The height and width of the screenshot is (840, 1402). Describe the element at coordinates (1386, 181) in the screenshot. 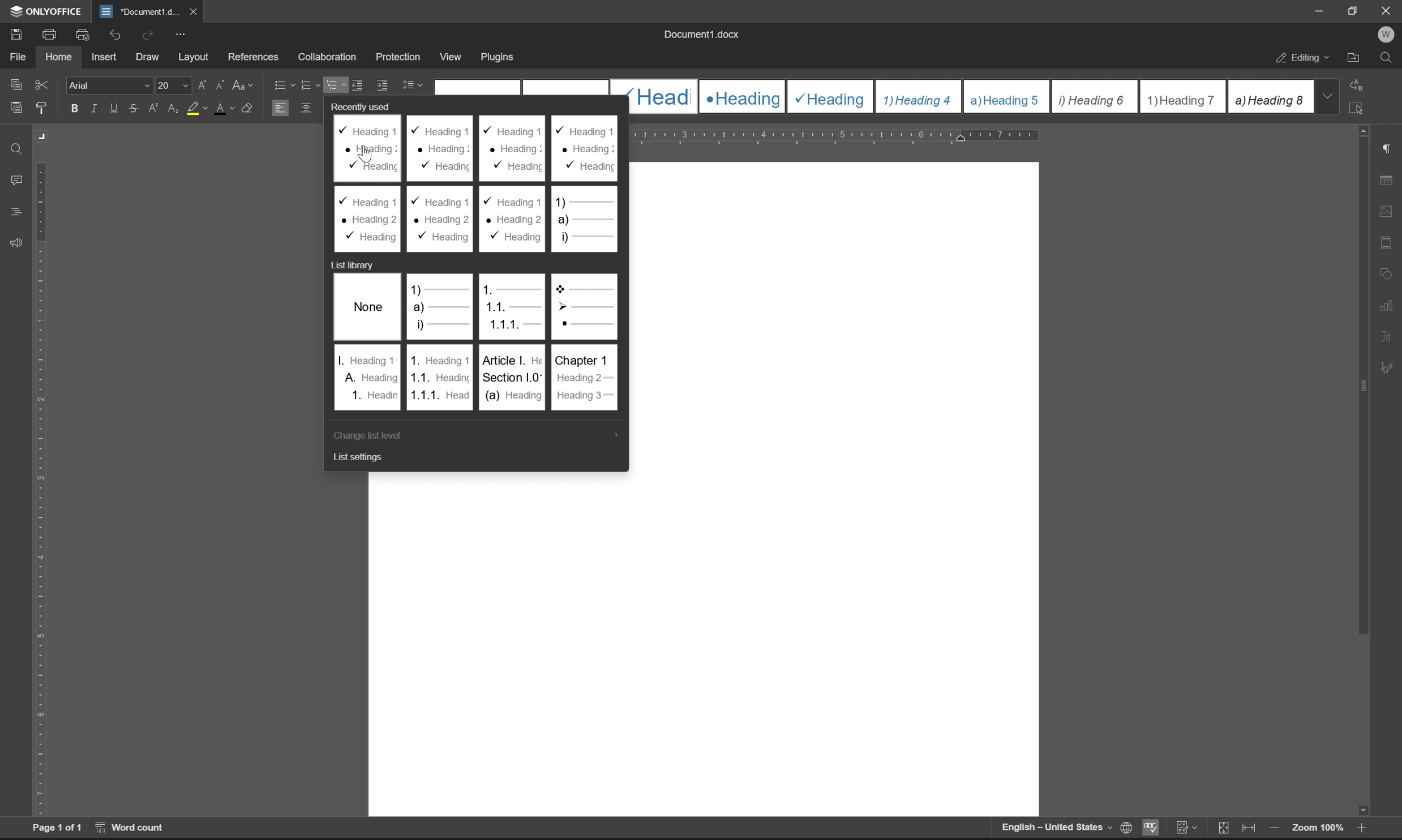

I see `table settings` at that location.